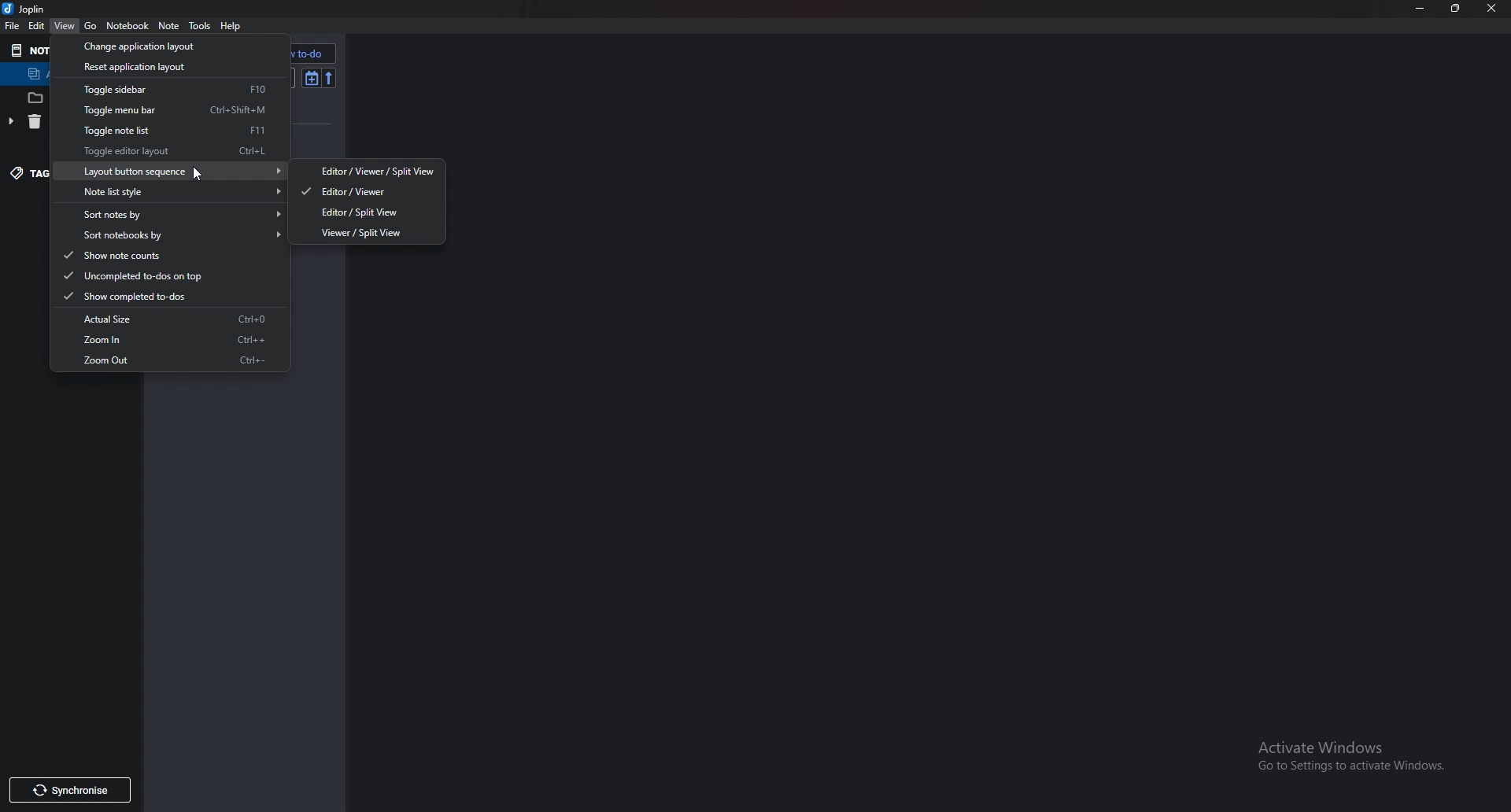  I want to click on edit, so click(36, 27).